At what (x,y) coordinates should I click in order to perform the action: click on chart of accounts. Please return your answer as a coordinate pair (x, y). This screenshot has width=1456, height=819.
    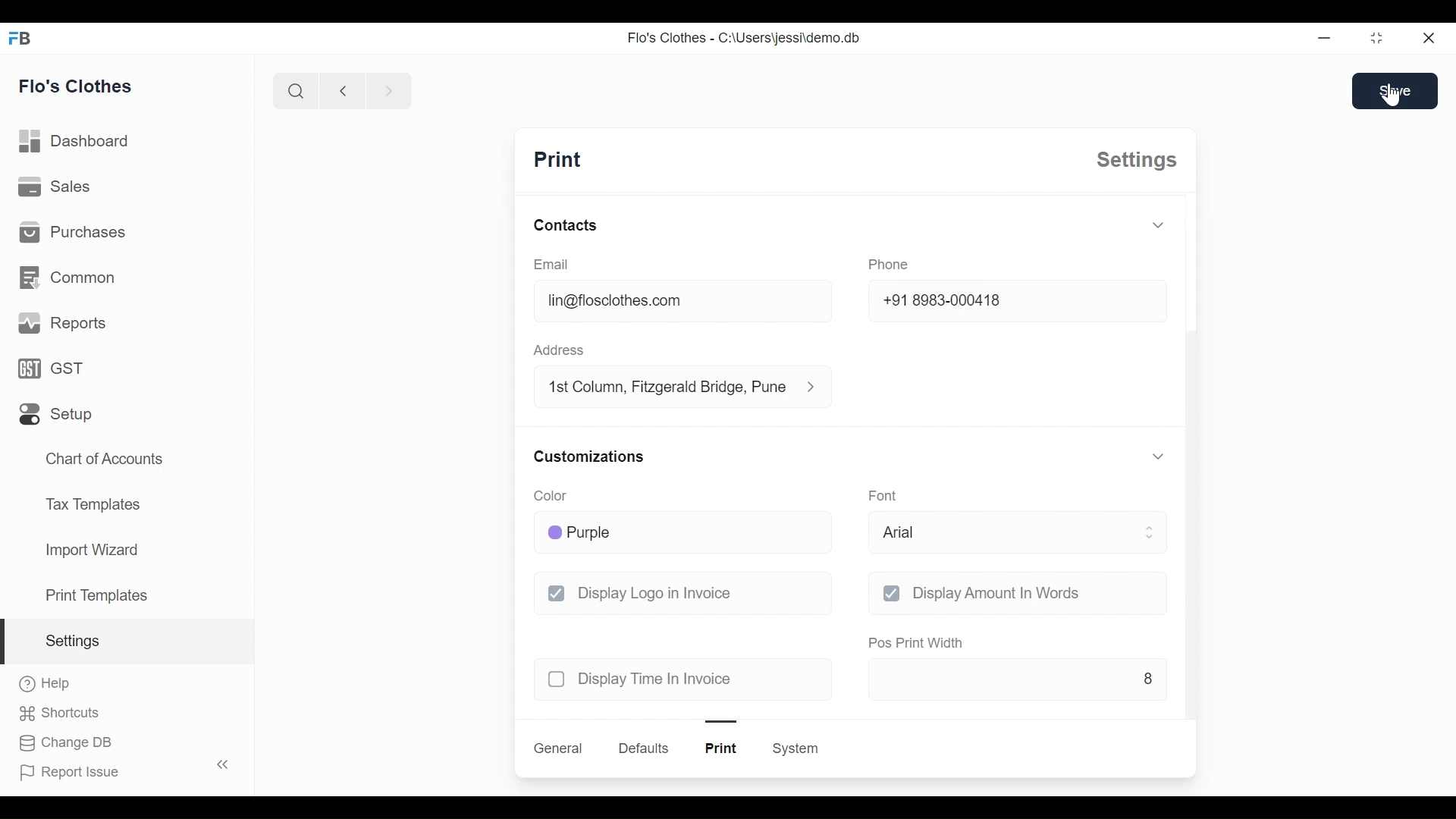
    Looking at the image, I should click on (106, 460).